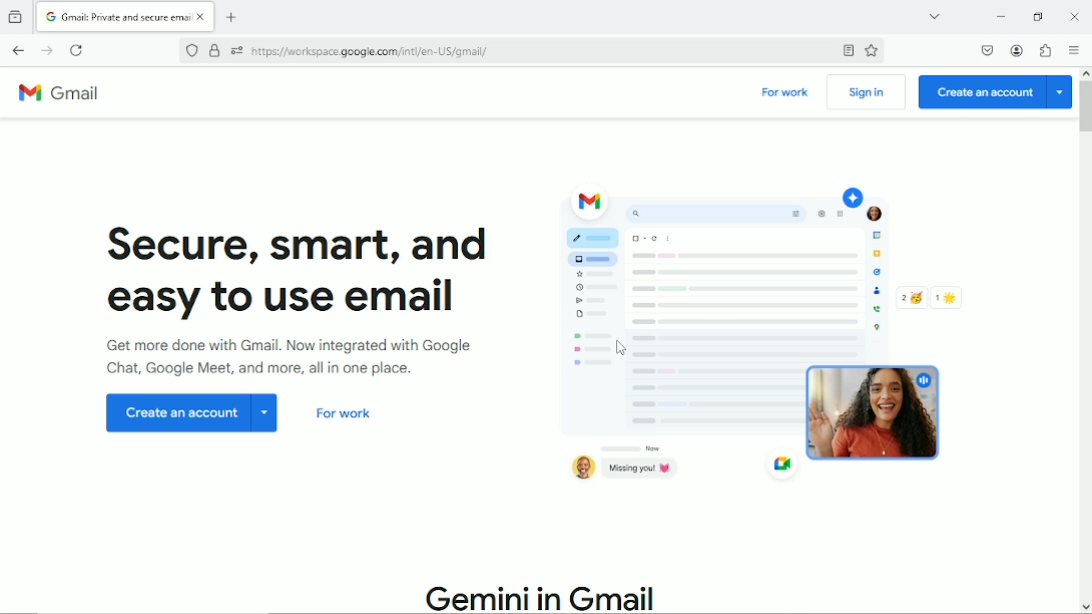 This screenshot has height=614, width=1092. I want to click on Close, so click(1074, 16).